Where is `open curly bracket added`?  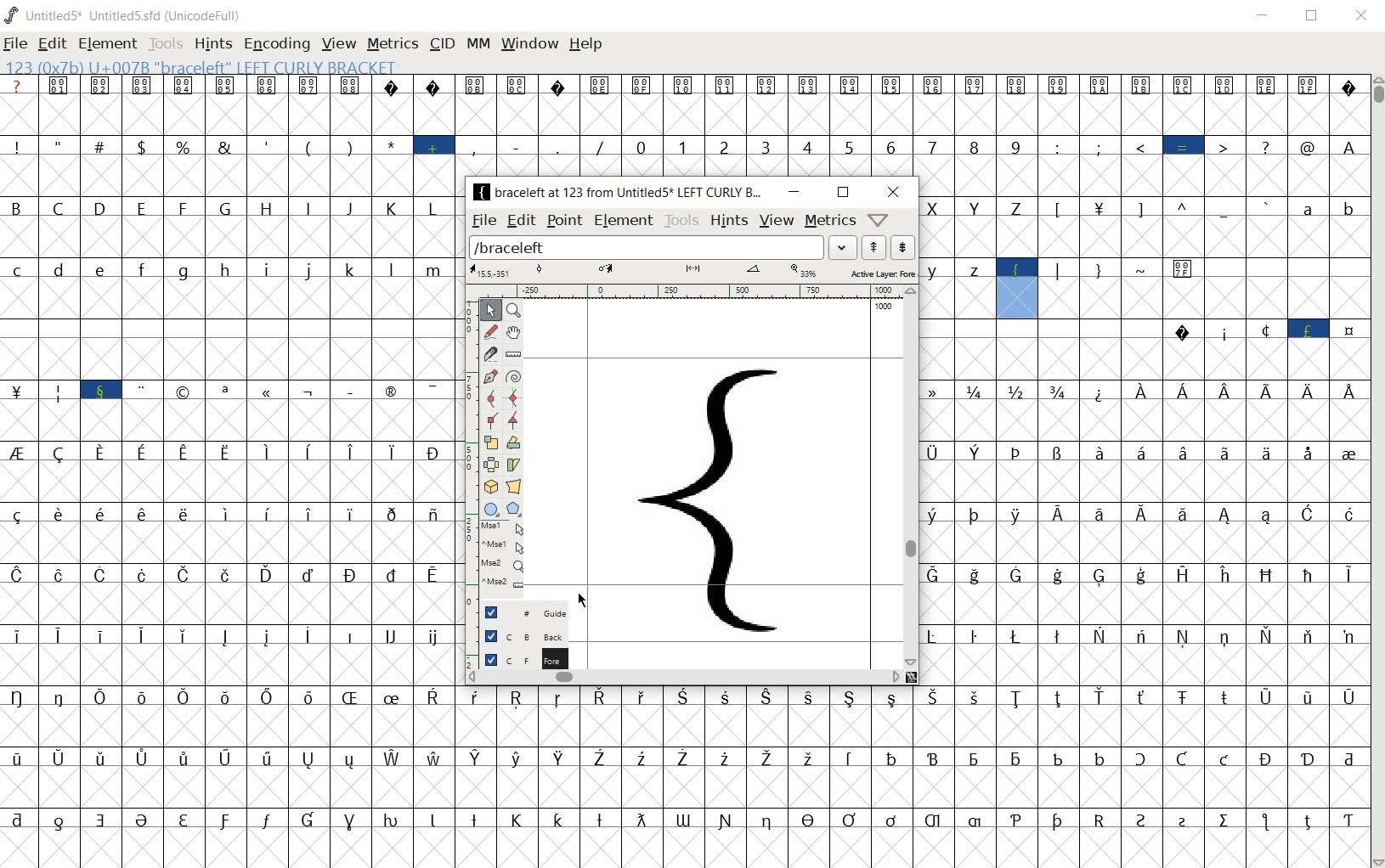
open curly bracket added is located at coordinates (725, 504).